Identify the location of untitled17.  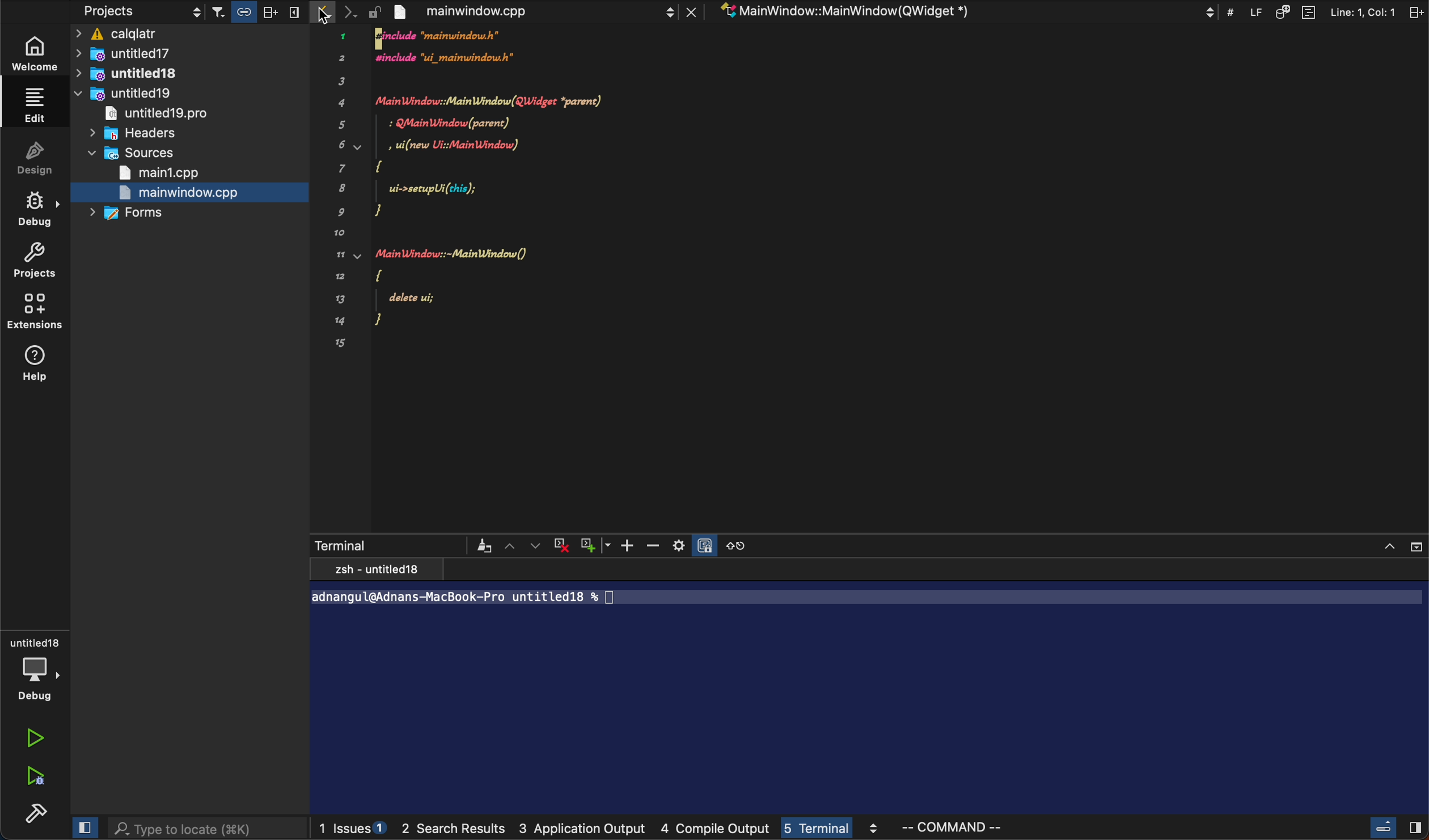
(150, 54).